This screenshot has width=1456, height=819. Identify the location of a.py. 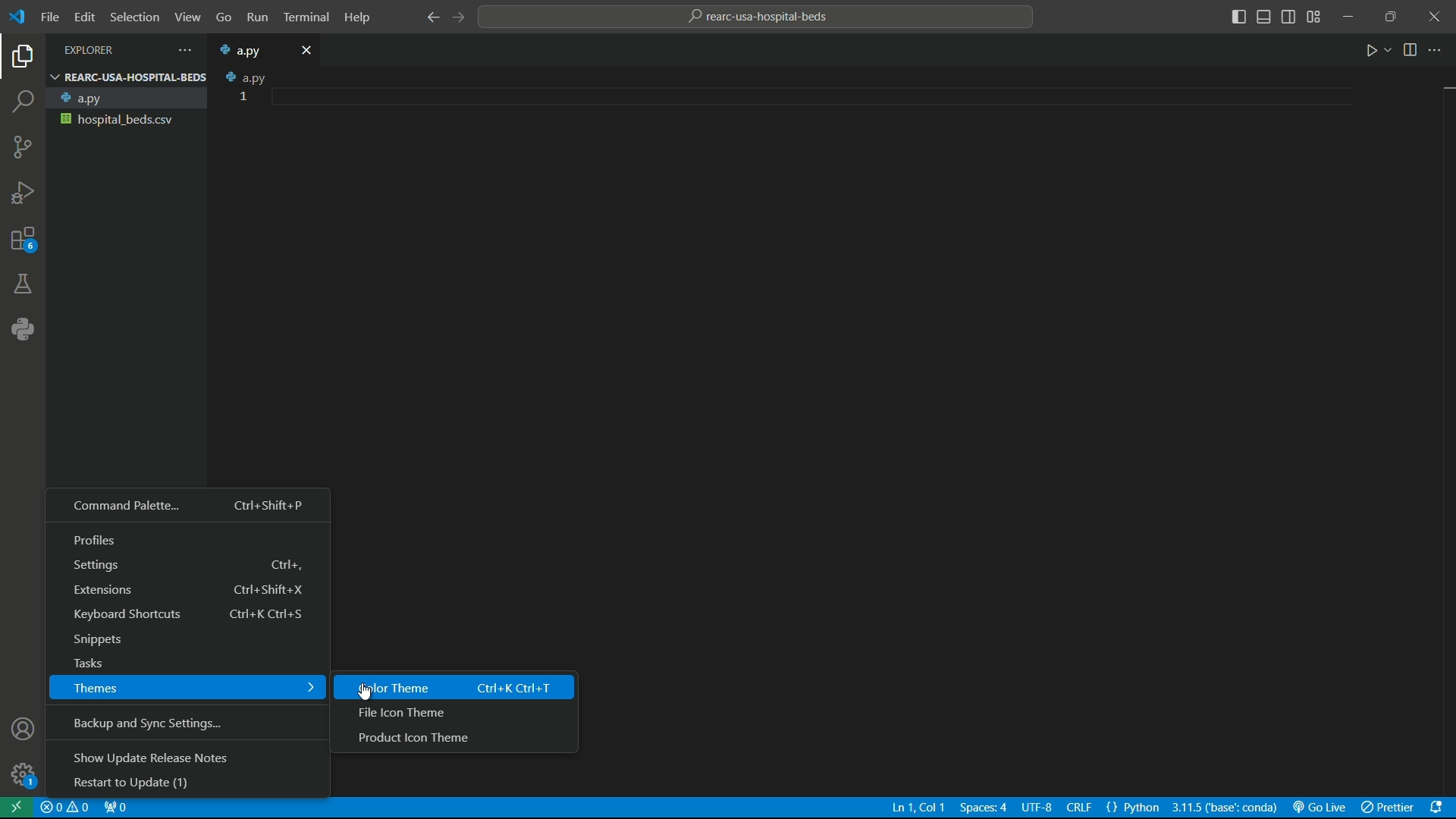
(241, 77).